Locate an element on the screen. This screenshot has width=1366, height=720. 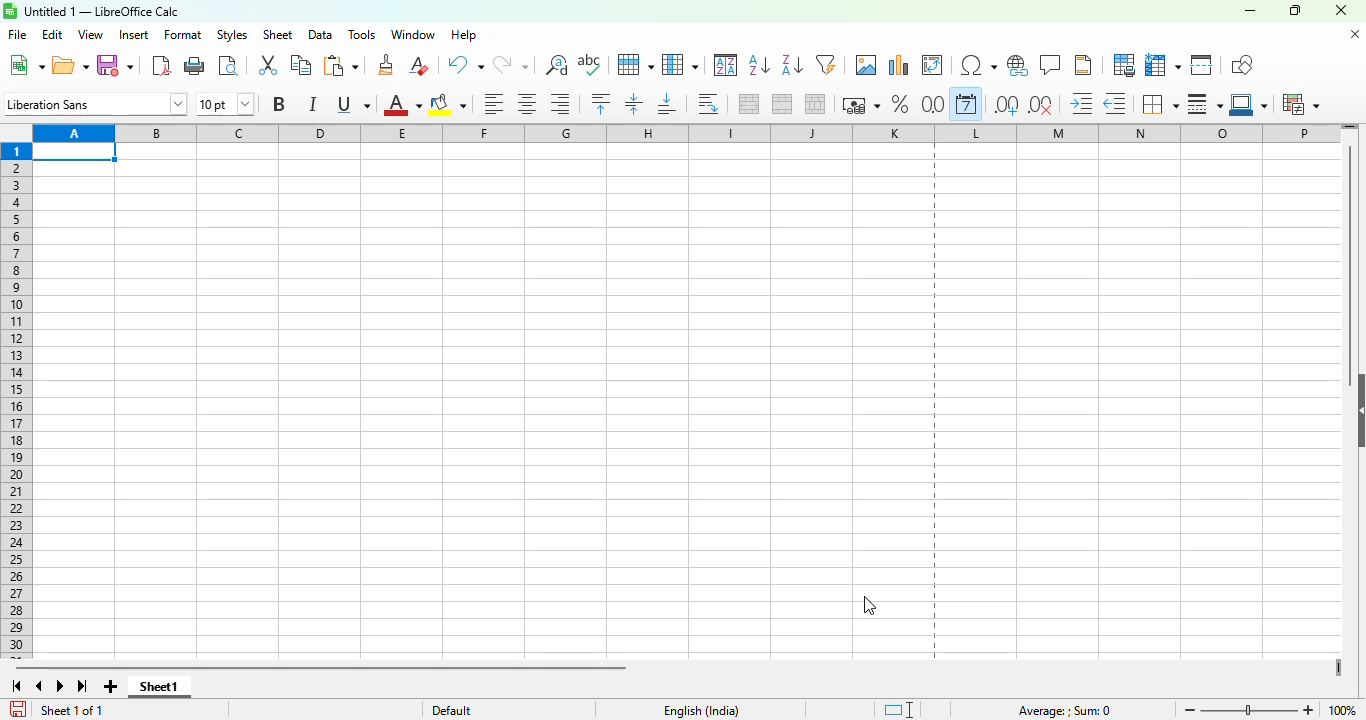
active cell is located at coordinates (75, 152).